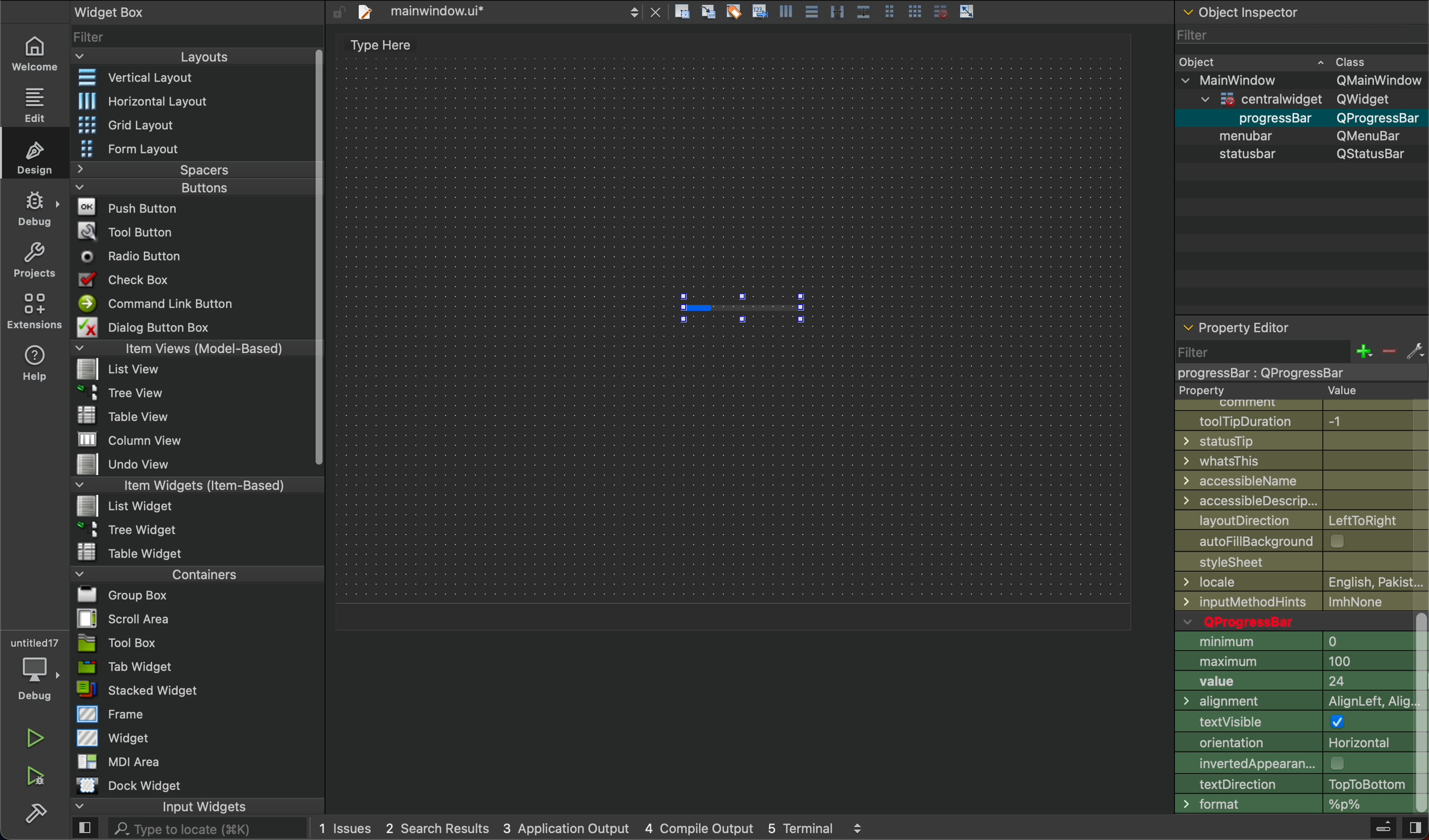  What do you see at coordinates (36, 362) in the screenshot?
I see `help` at bounding box center [36, 362].